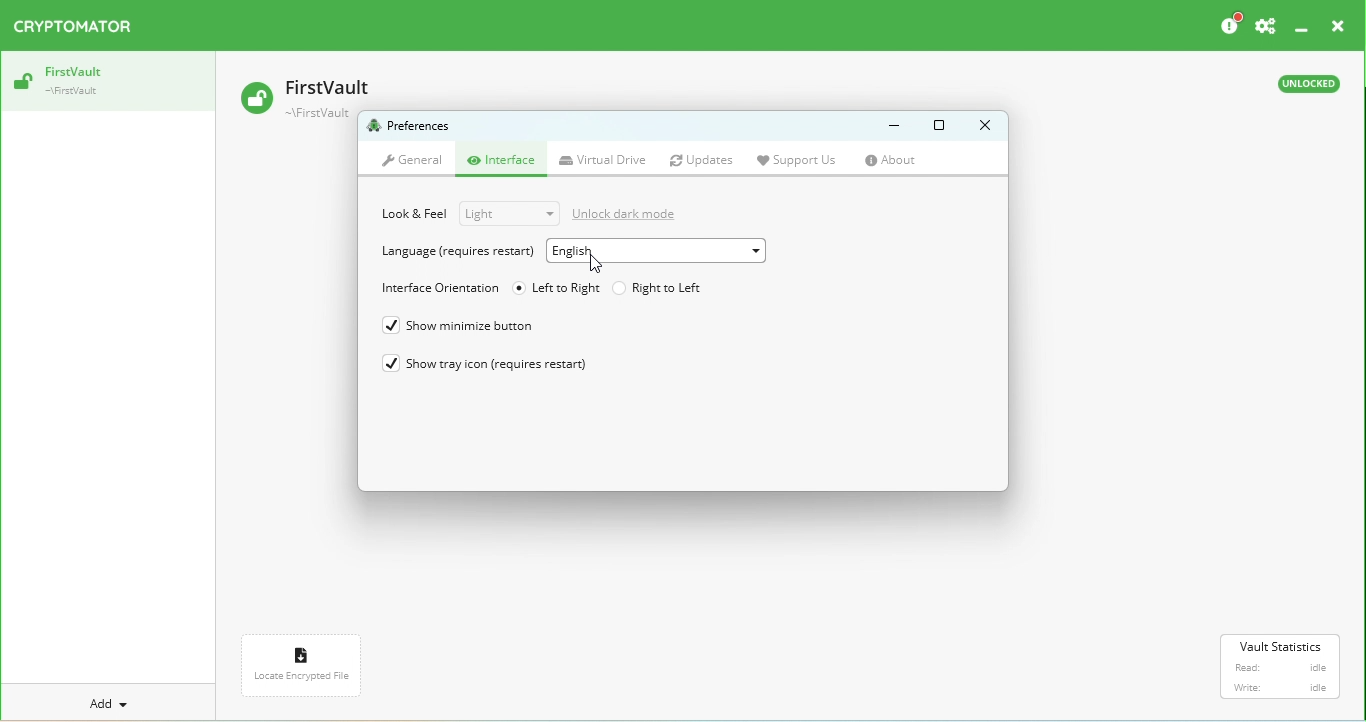 The image size is (1366, 722). Describe the element at coordinates (659, 286) in the screenshot. I see `Right to left` at that location.